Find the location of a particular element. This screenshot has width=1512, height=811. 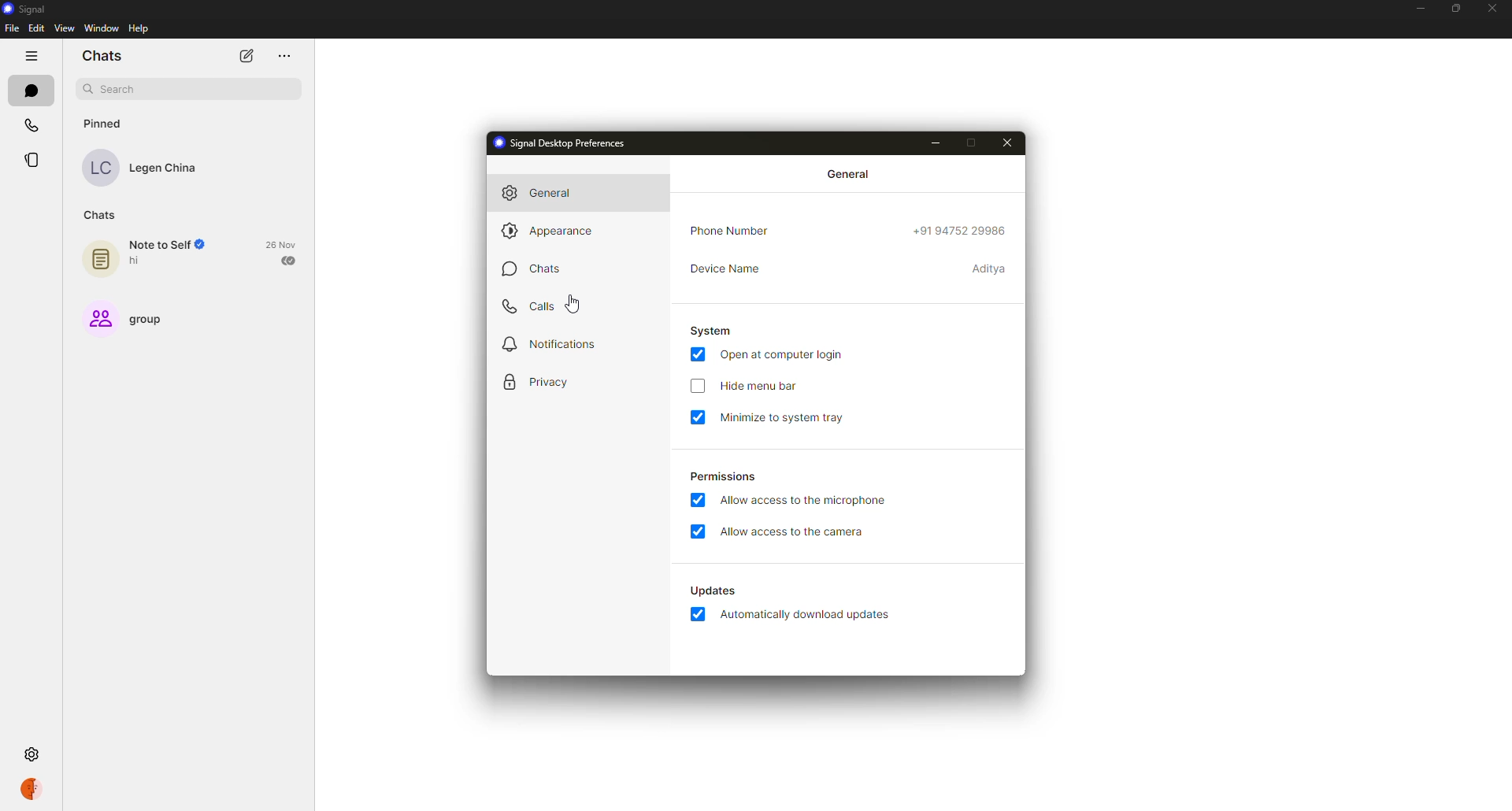

allow access to microphone is located at coordinates (802, 500).